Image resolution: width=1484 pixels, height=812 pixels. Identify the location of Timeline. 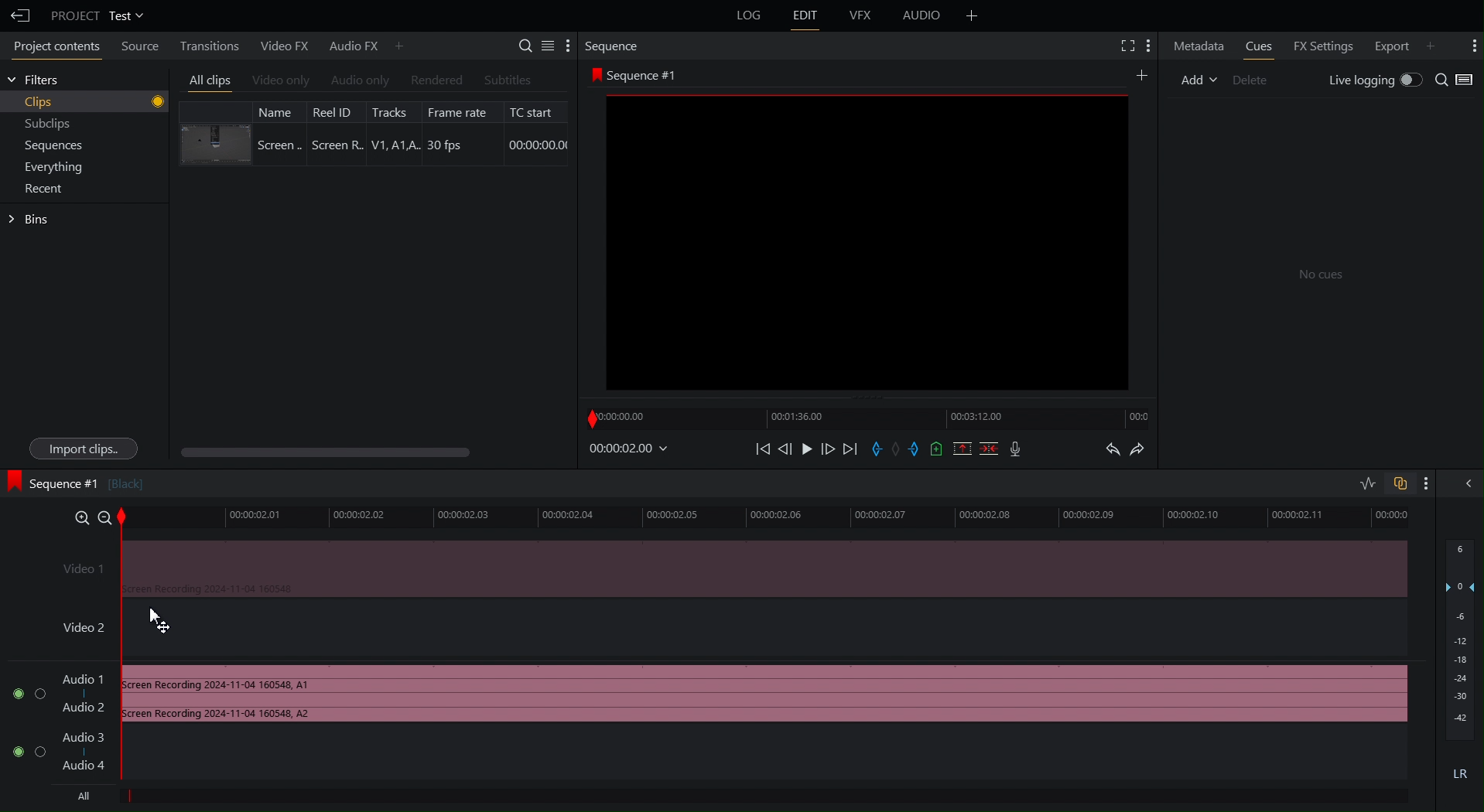
(767, 517).